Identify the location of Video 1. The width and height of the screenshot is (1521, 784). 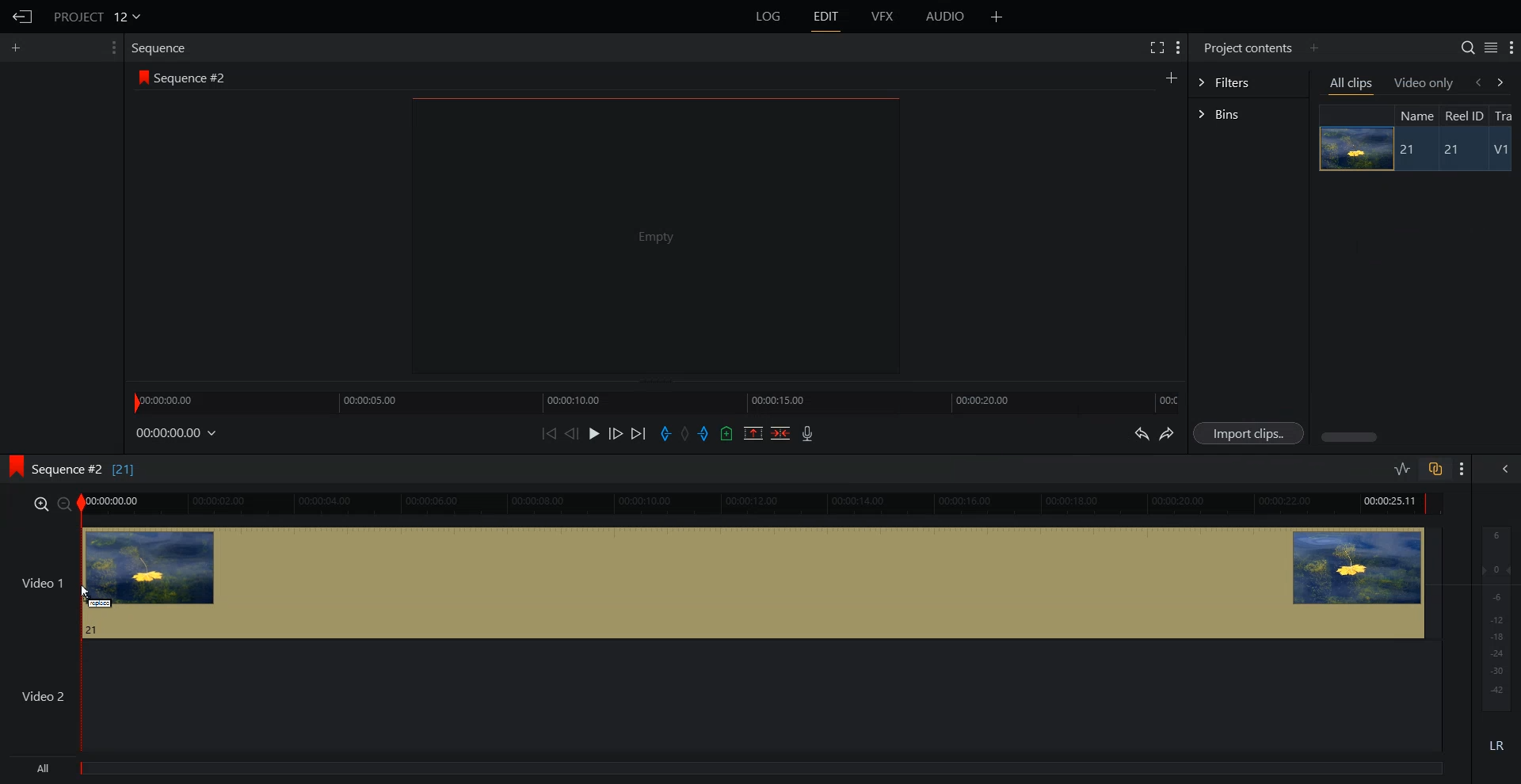
(722, 582).